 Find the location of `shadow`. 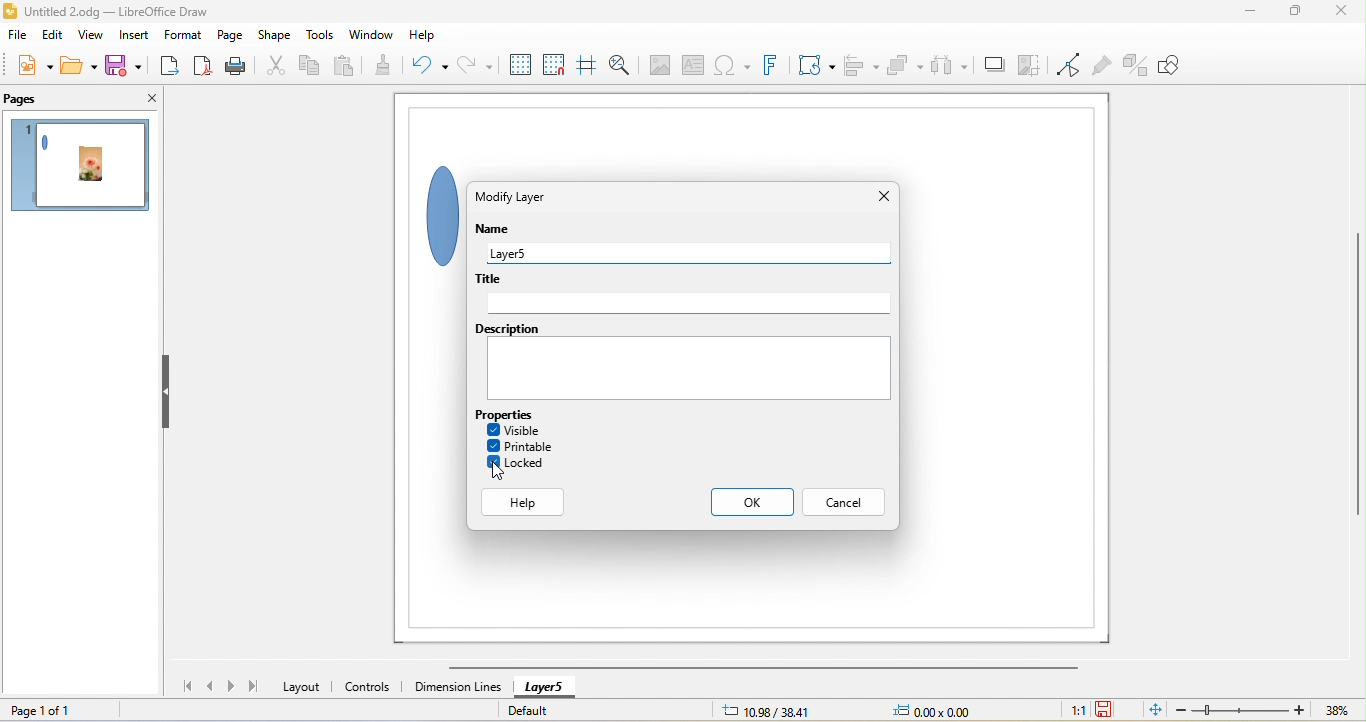

shadow is located at coordinates (993, 66).